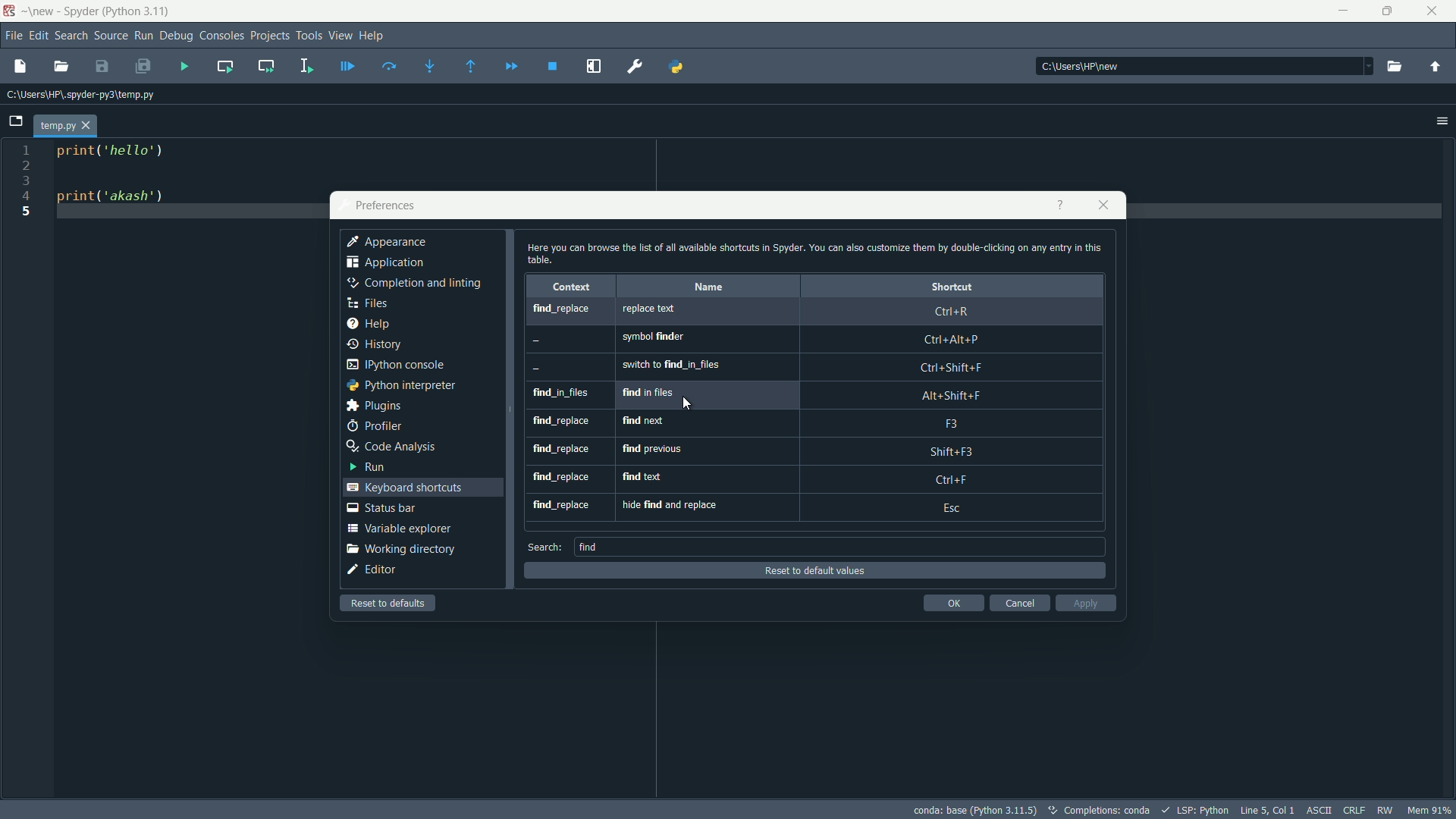  I want to click on run menu, so click(144, 35).